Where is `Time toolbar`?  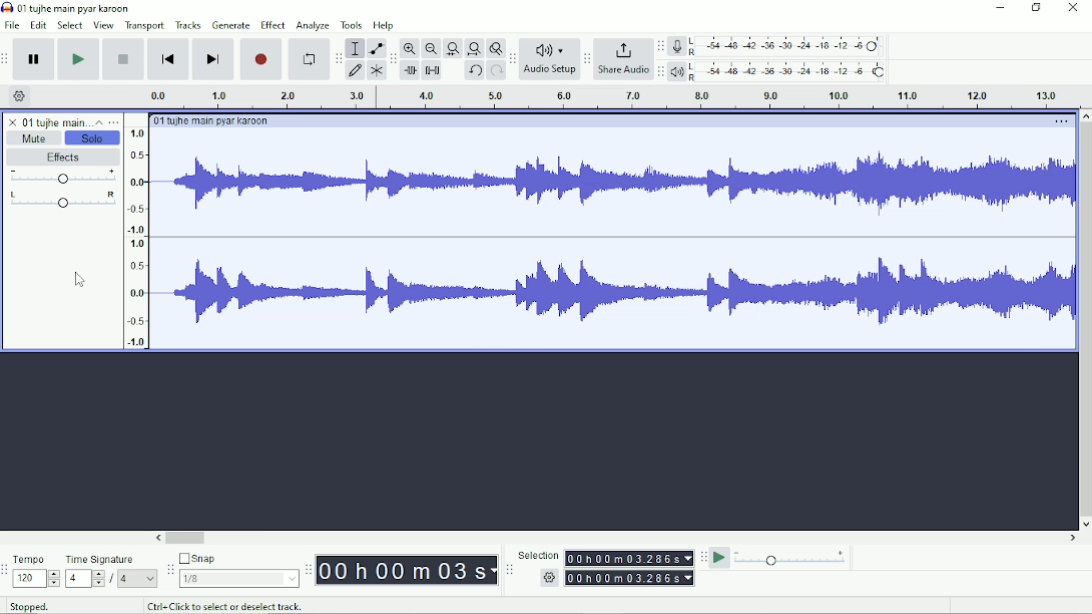
Time toolbar is located at coordinates (406, 569).